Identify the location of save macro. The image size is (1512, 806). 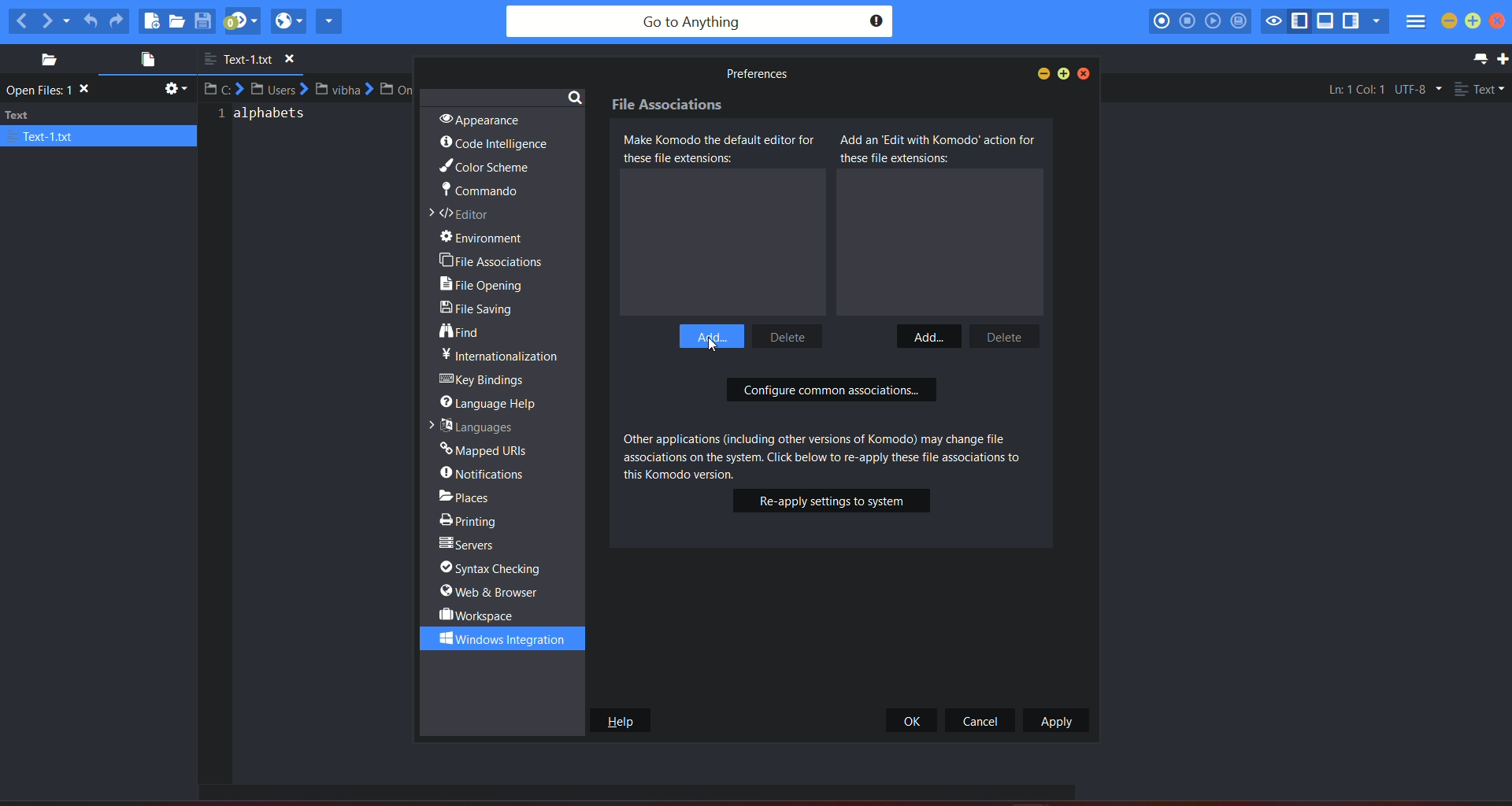
(1242, 22).